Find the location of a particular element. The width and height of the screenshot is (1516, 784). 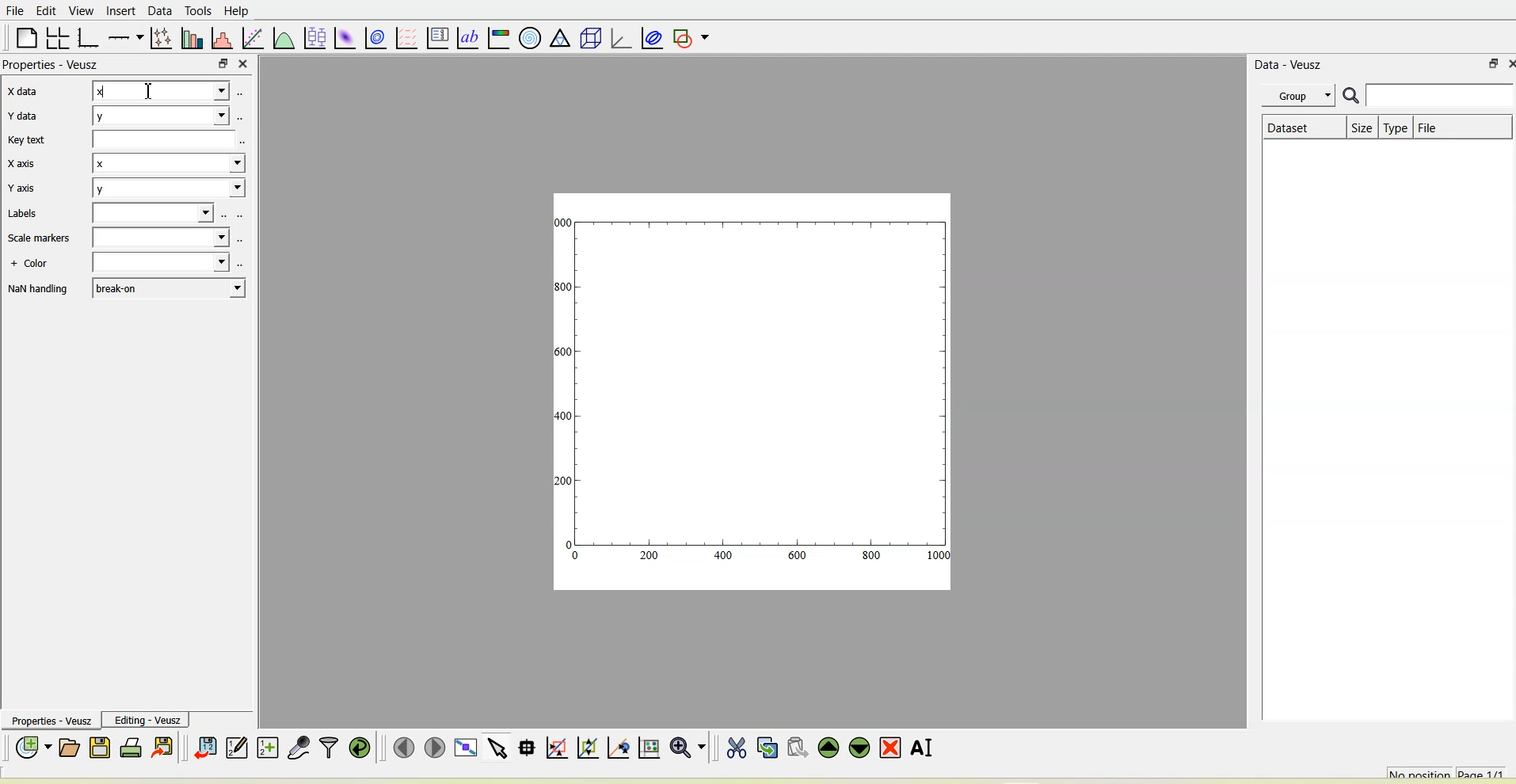

Move the selected widget down is located at coordinates (859, 748).